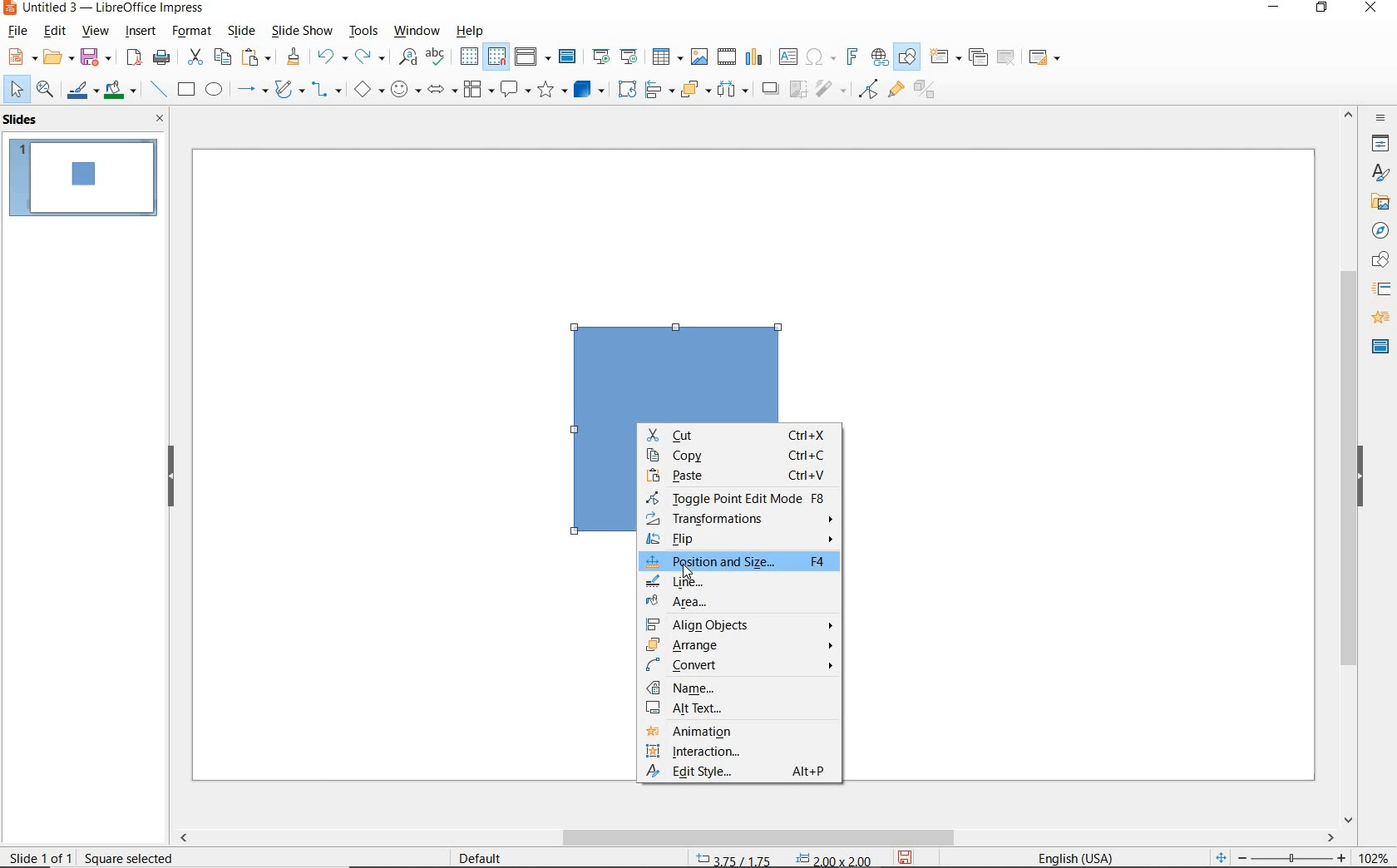  Describe the element at coordinates (738, 479) in the screenshot. I see `PASTE` at that location.